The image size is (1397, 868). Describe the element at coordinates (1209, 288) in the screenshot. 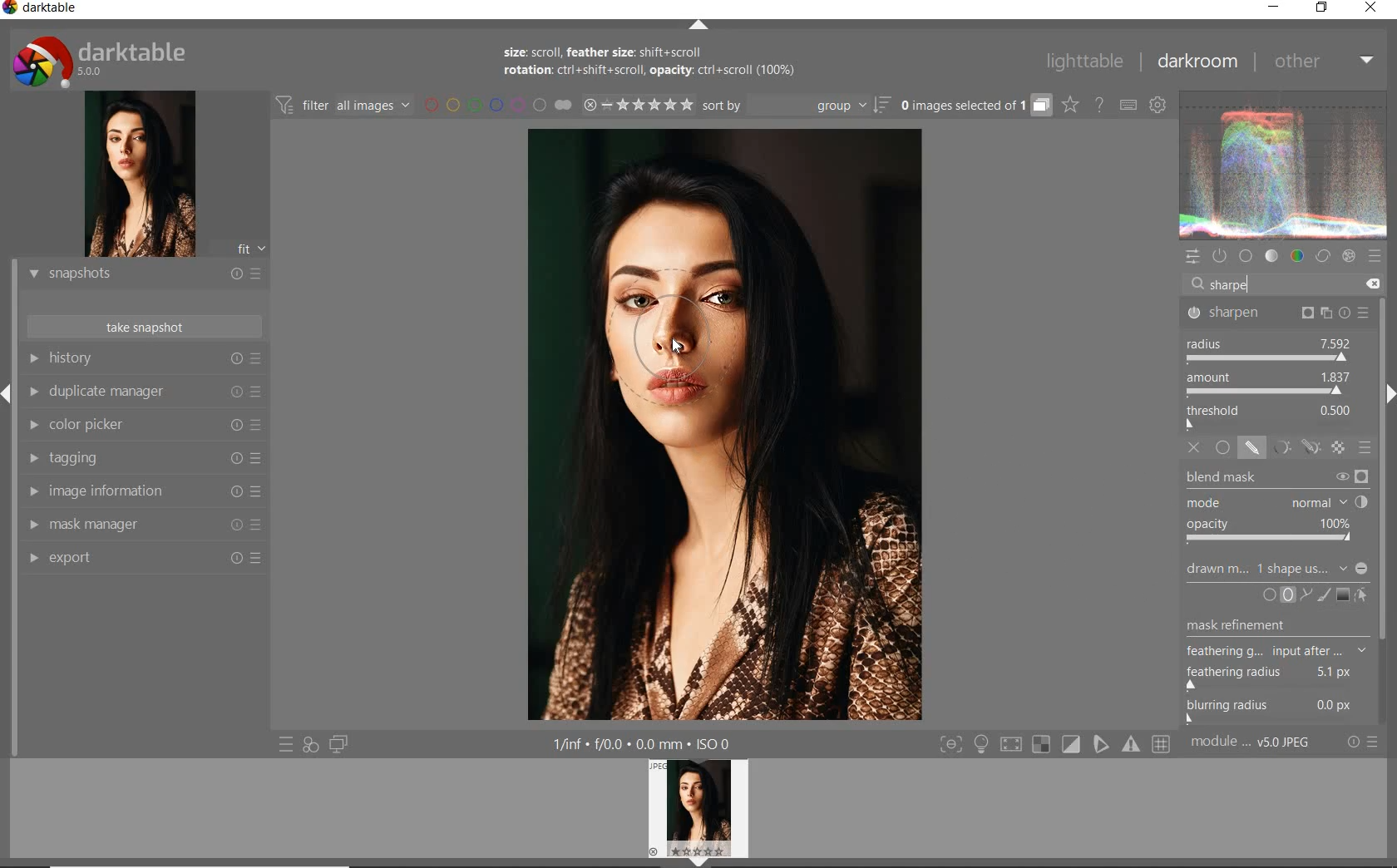

I see `EDITOR` at that location.